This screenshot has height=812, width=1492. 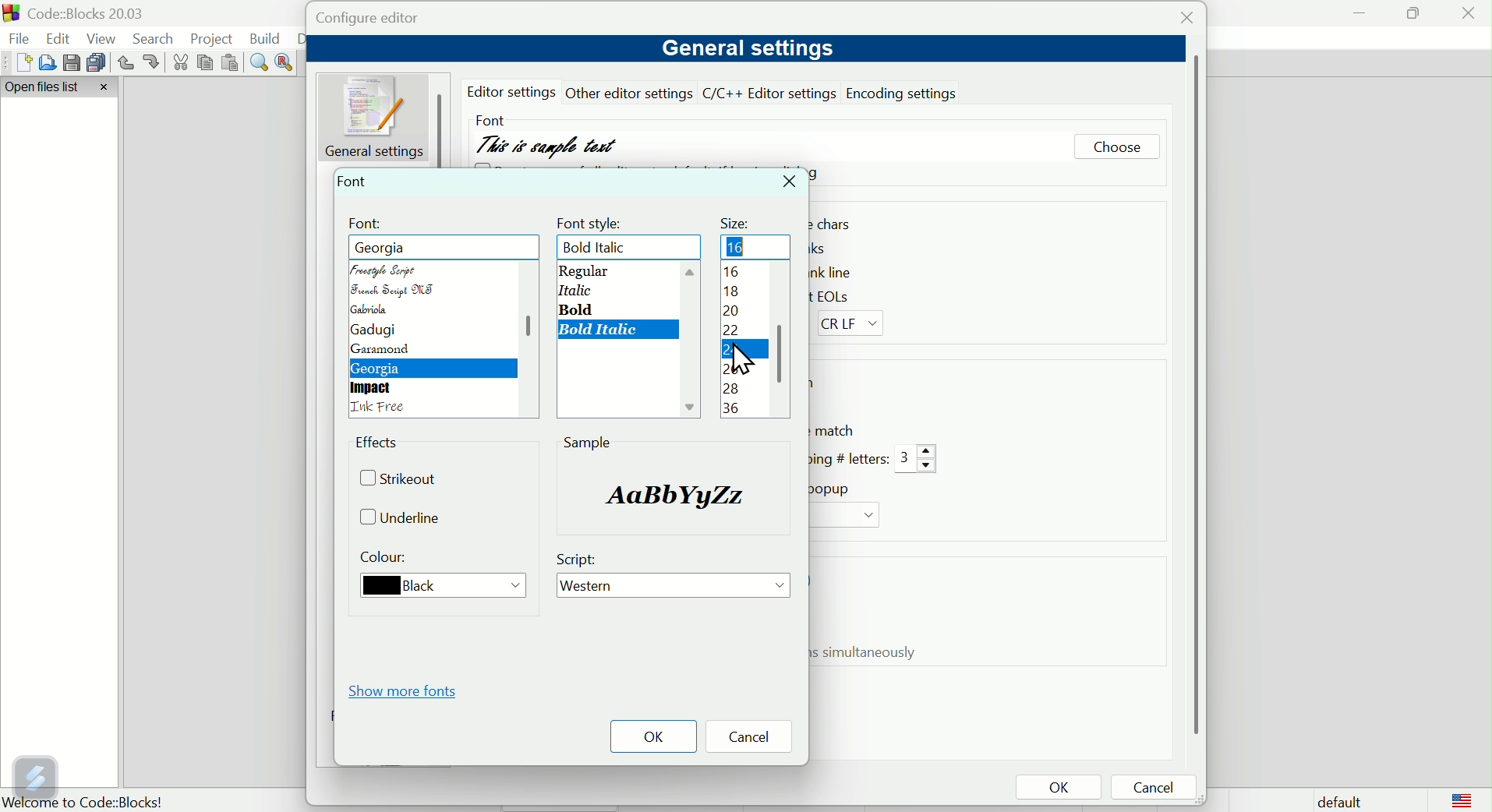 What do you see at coordinates (373, 388) in the screenshot?
I see `Impact` at bounding box center [373, 388].